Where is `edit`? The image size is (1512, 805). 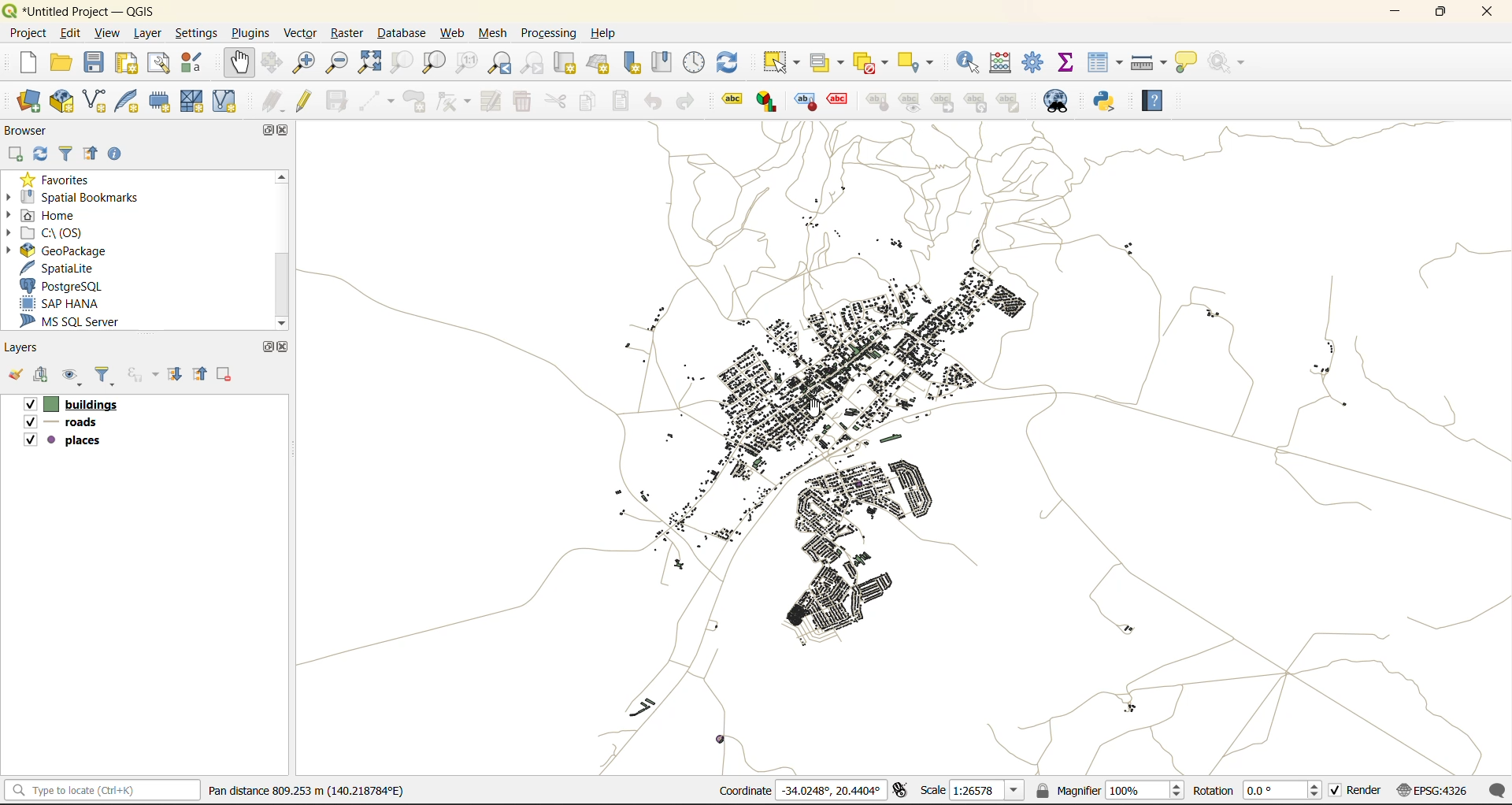
edit is located at coordinates (73, 33).